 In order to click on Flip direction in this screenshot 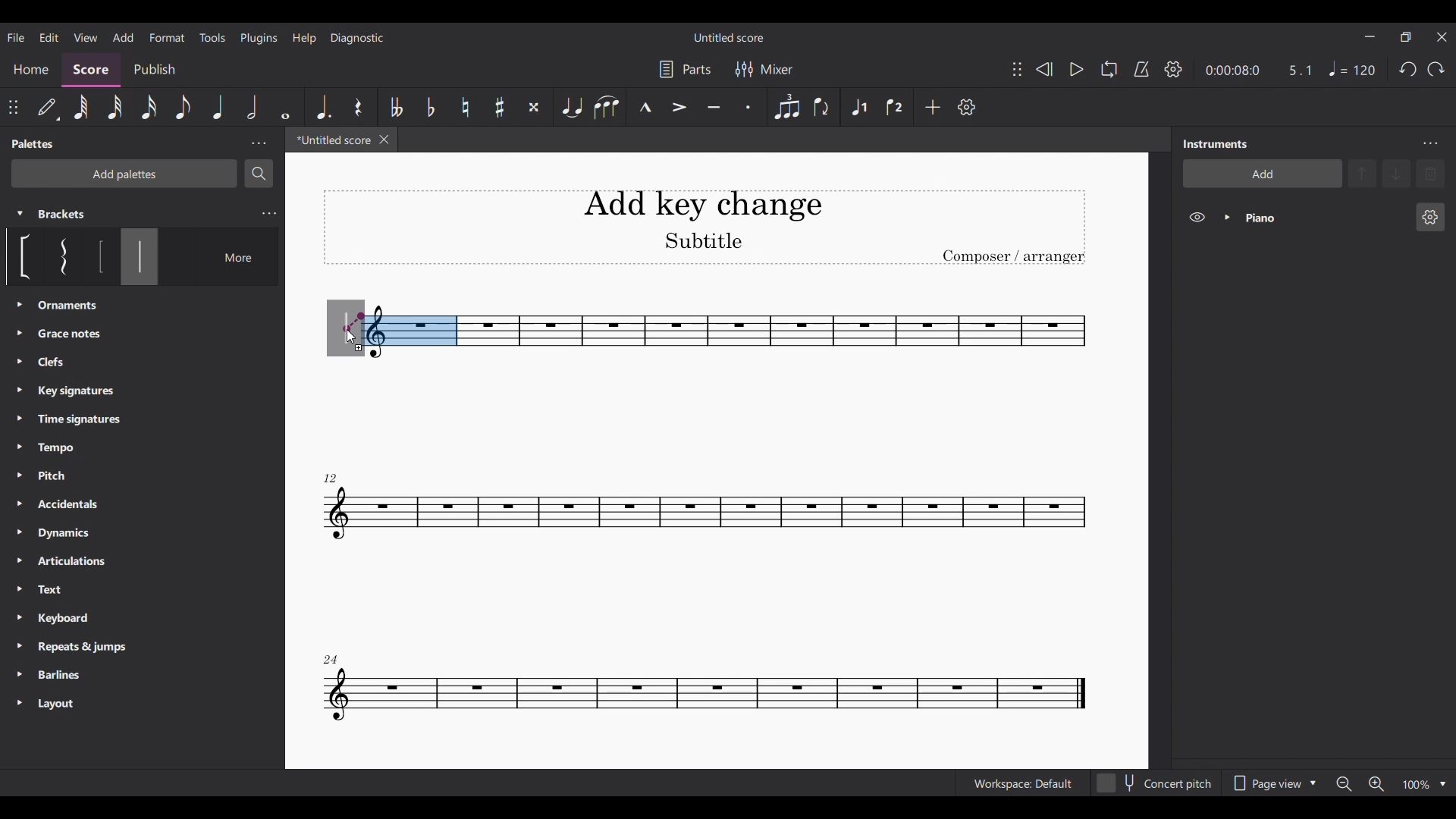, I will do `click(821, 107)`.